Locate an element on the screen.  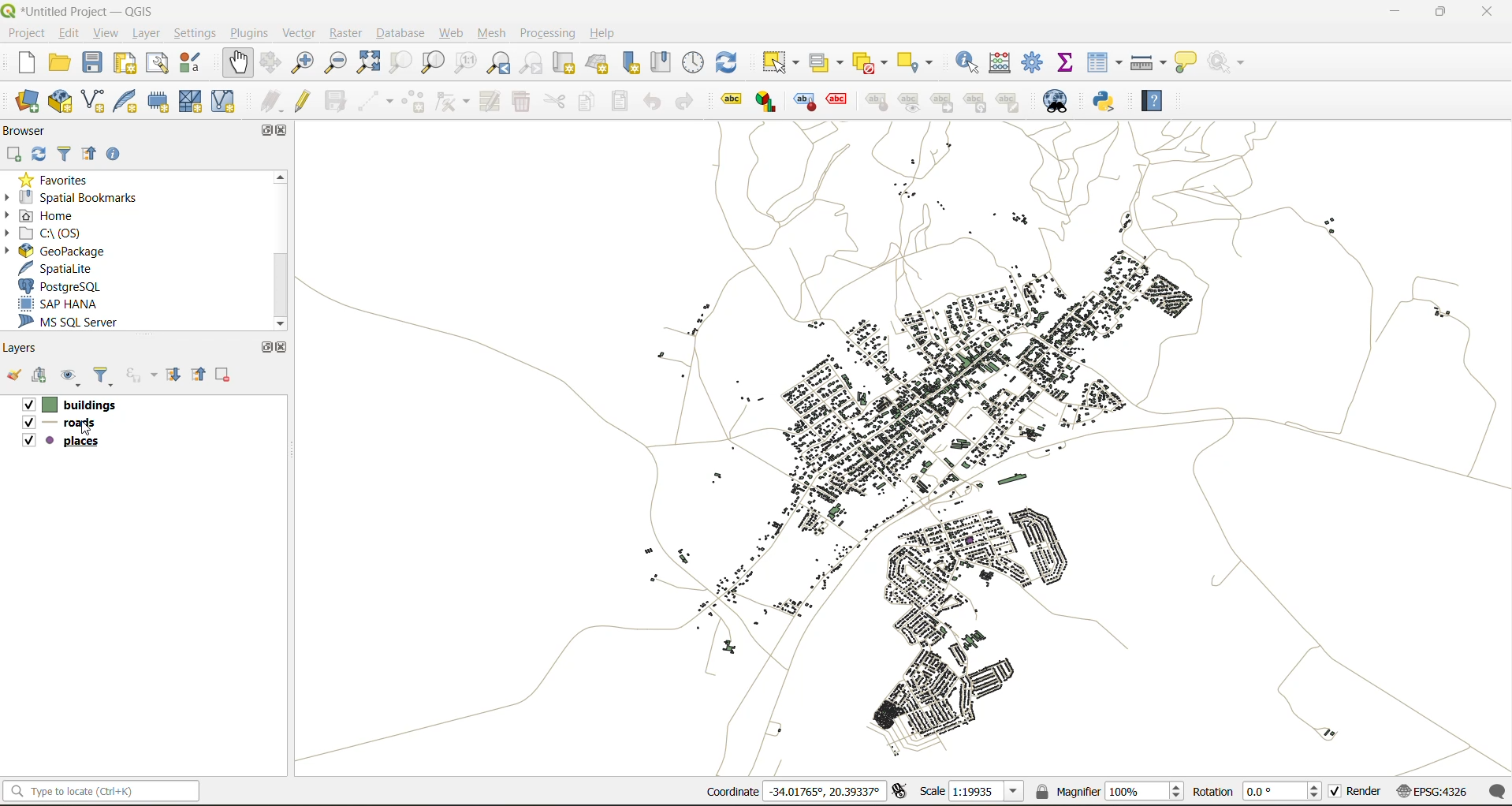
home is located at coordinates (46, 215).